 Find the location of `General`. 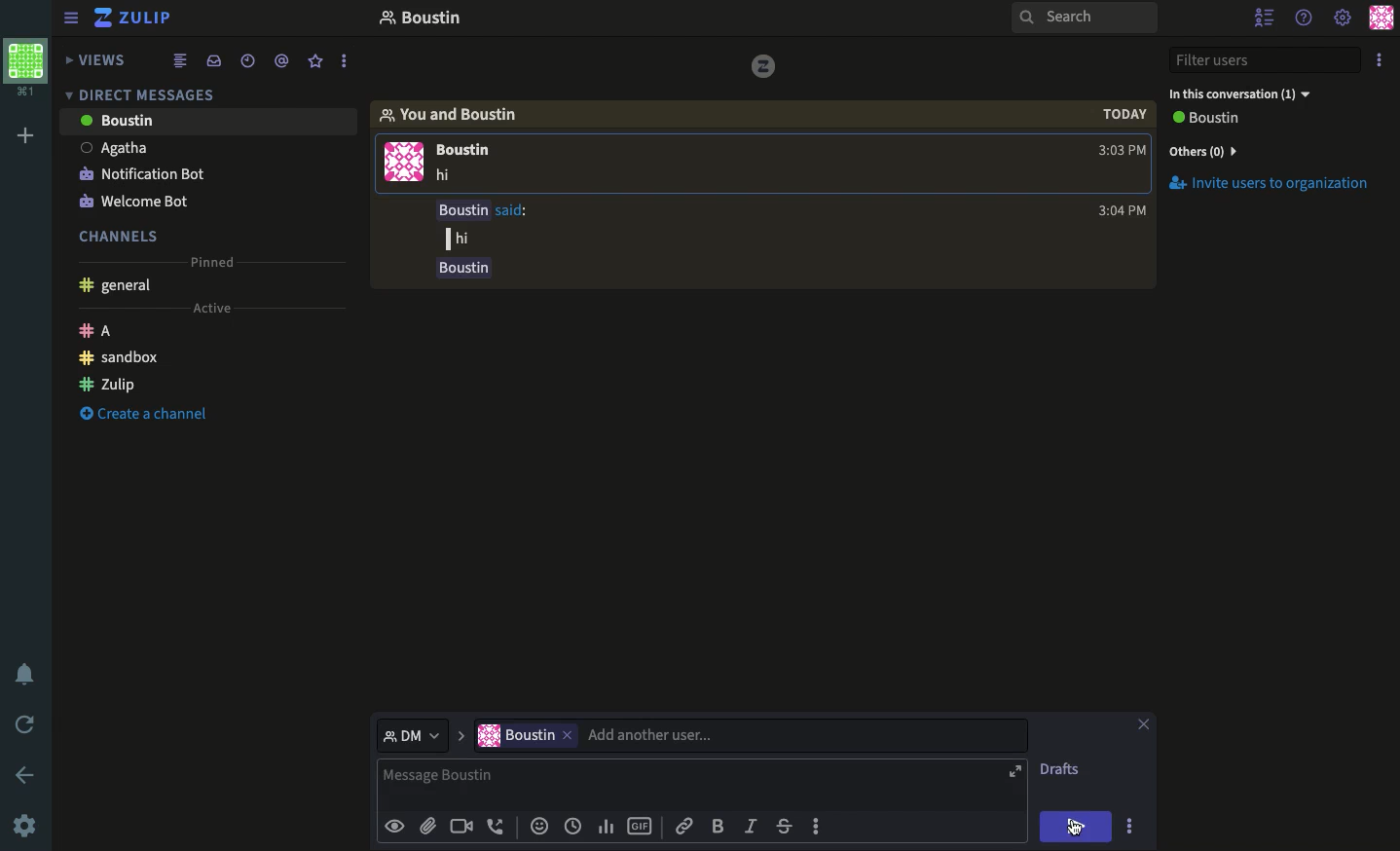

General is located at coordinates (119, 285).